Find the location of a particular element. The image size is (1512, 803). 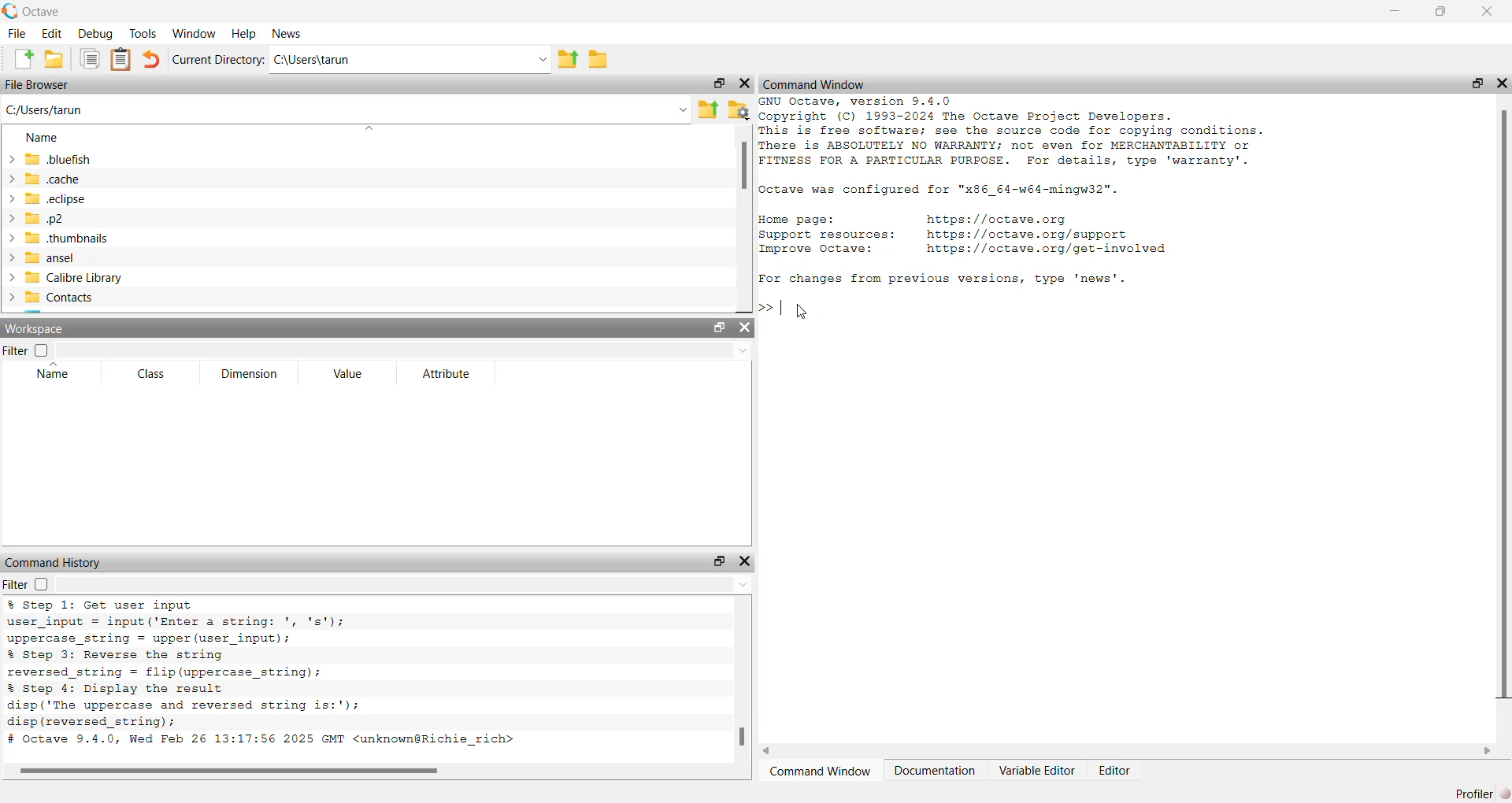

browse your files is located at coordinates (739, 109).